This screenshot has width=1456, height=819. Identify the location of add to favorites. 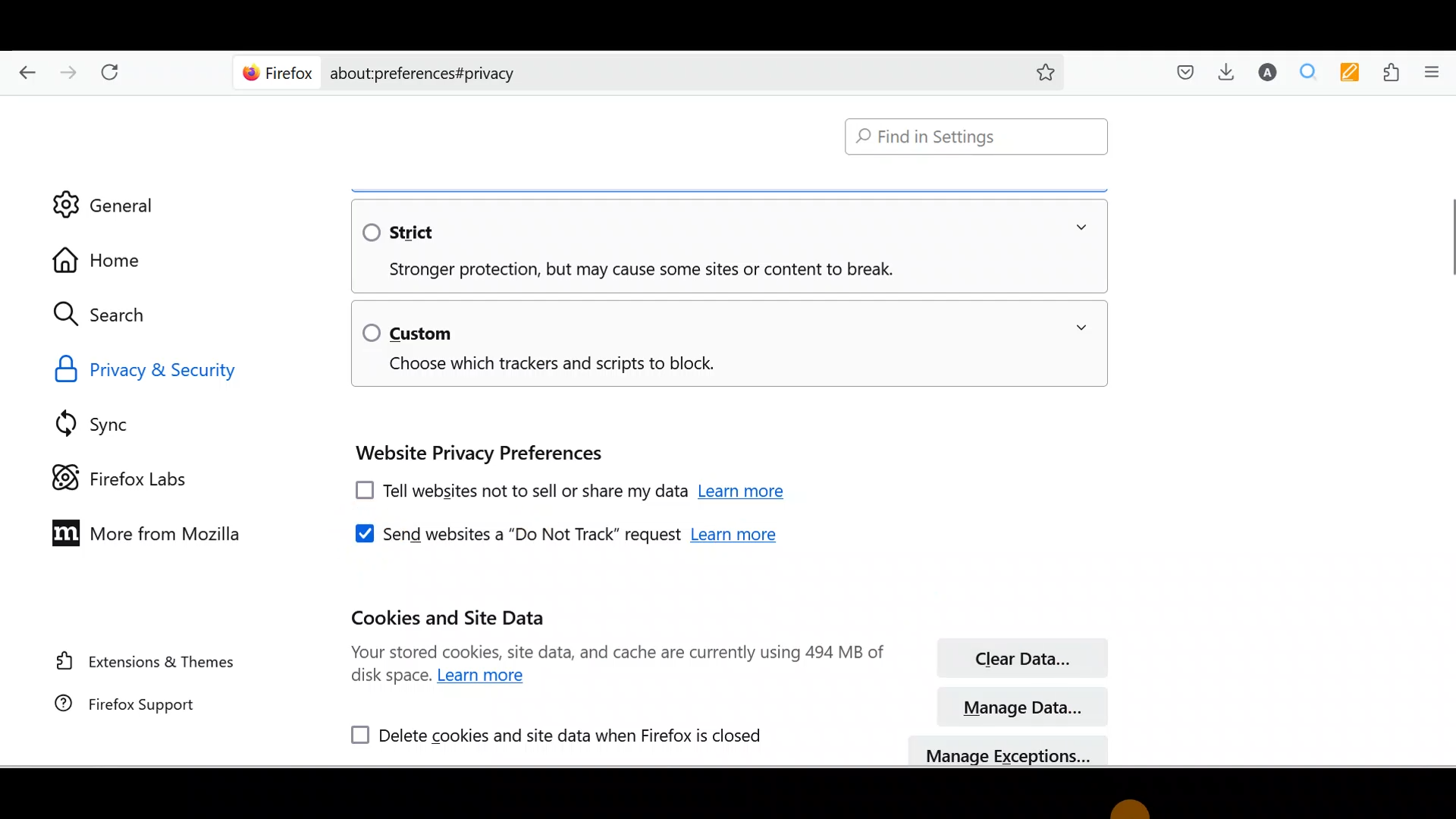
(1046, 74).